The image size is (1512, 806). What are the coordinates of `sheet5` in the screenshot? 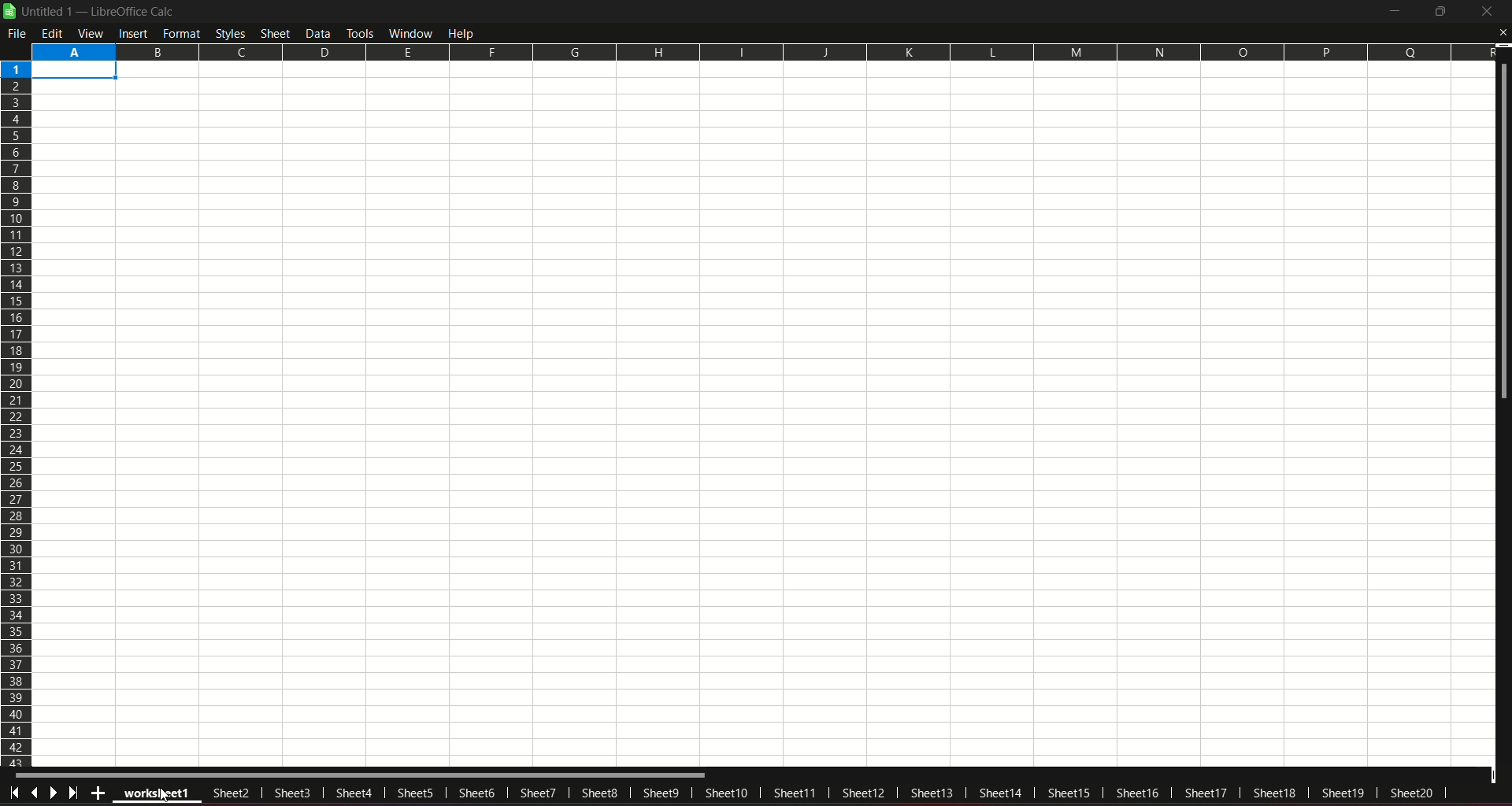 It's located at (411, 795).